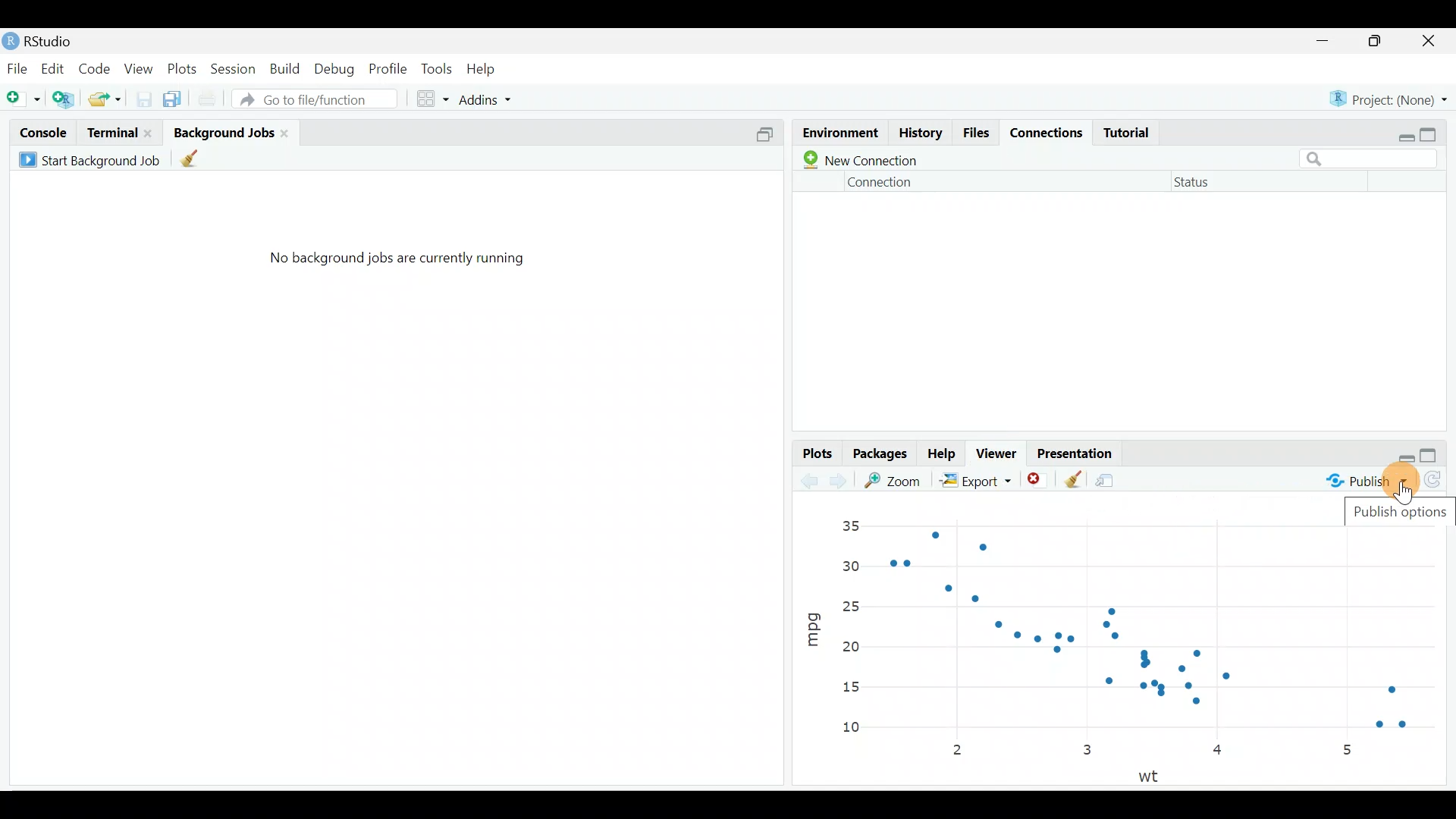 This screenshot has width=1456, height=819. I want to click on Cursor, so click(1380, 482).